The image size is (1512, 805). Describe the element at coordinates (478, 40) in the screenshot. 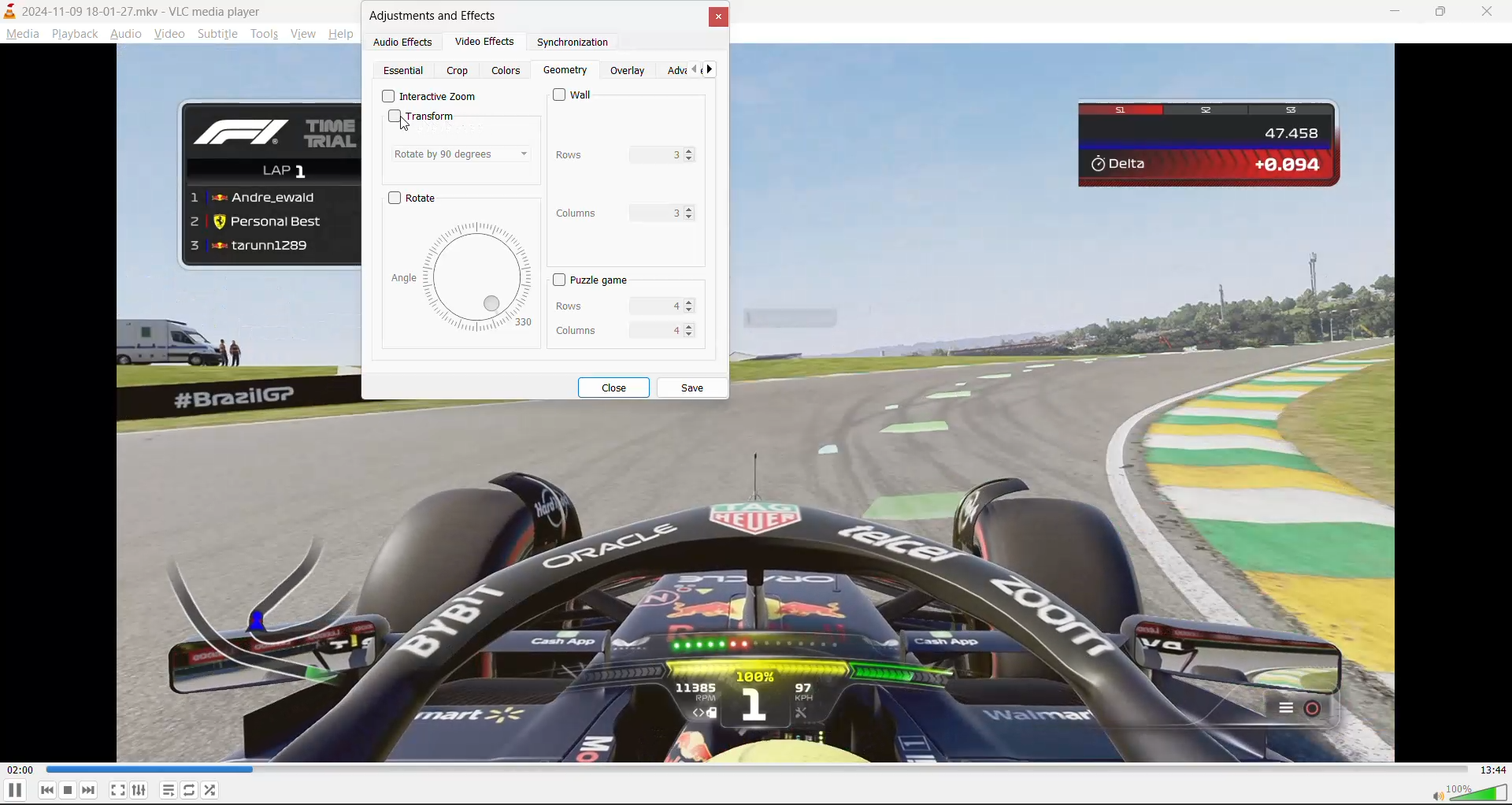

I see `video effects` at that location.